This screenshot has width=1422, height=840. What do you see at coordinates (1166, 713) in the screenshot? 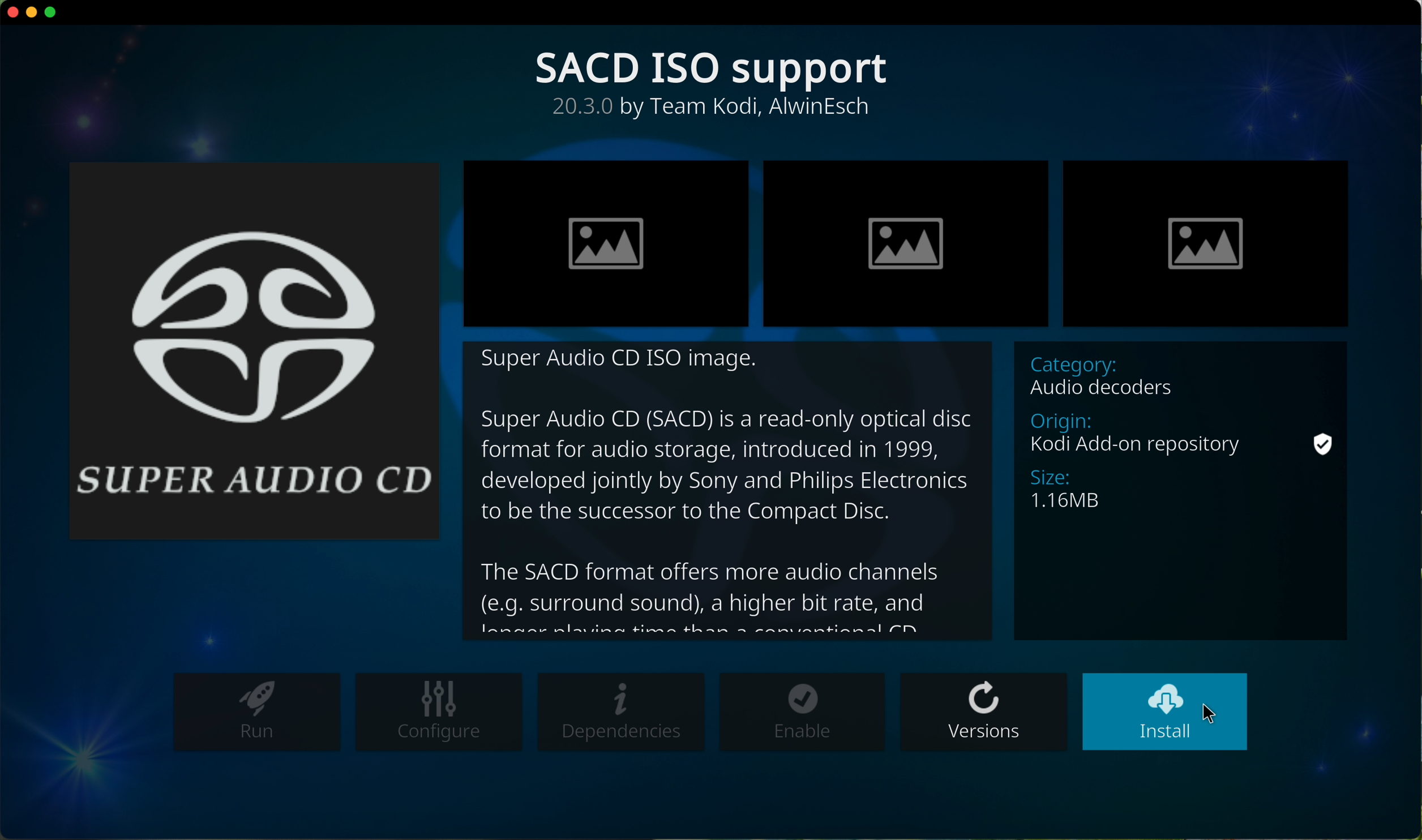
I see `click on install` at bounding box center [1166, 713].